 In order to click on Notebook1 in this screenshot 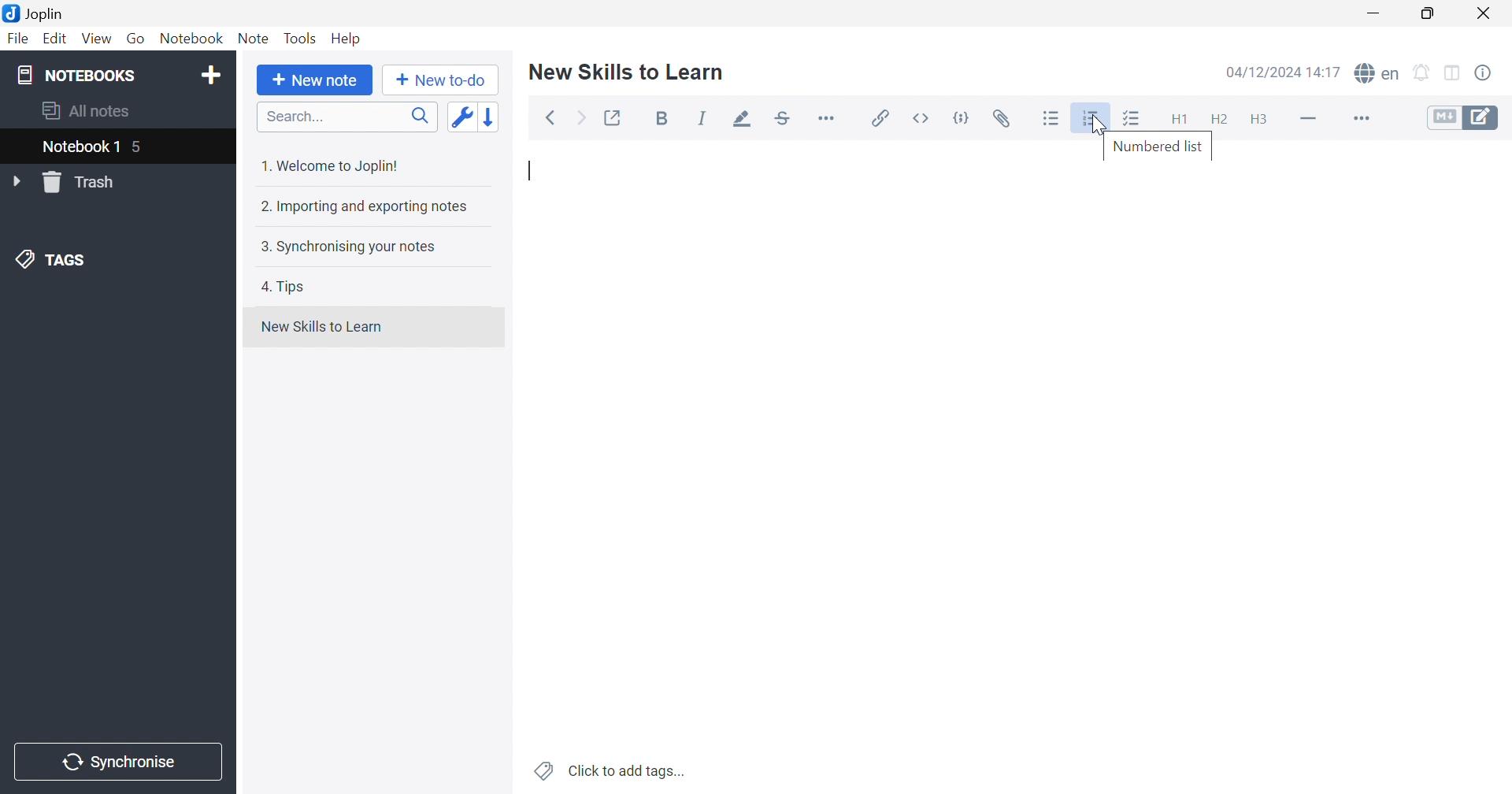, I will do `click(78, 146)`.